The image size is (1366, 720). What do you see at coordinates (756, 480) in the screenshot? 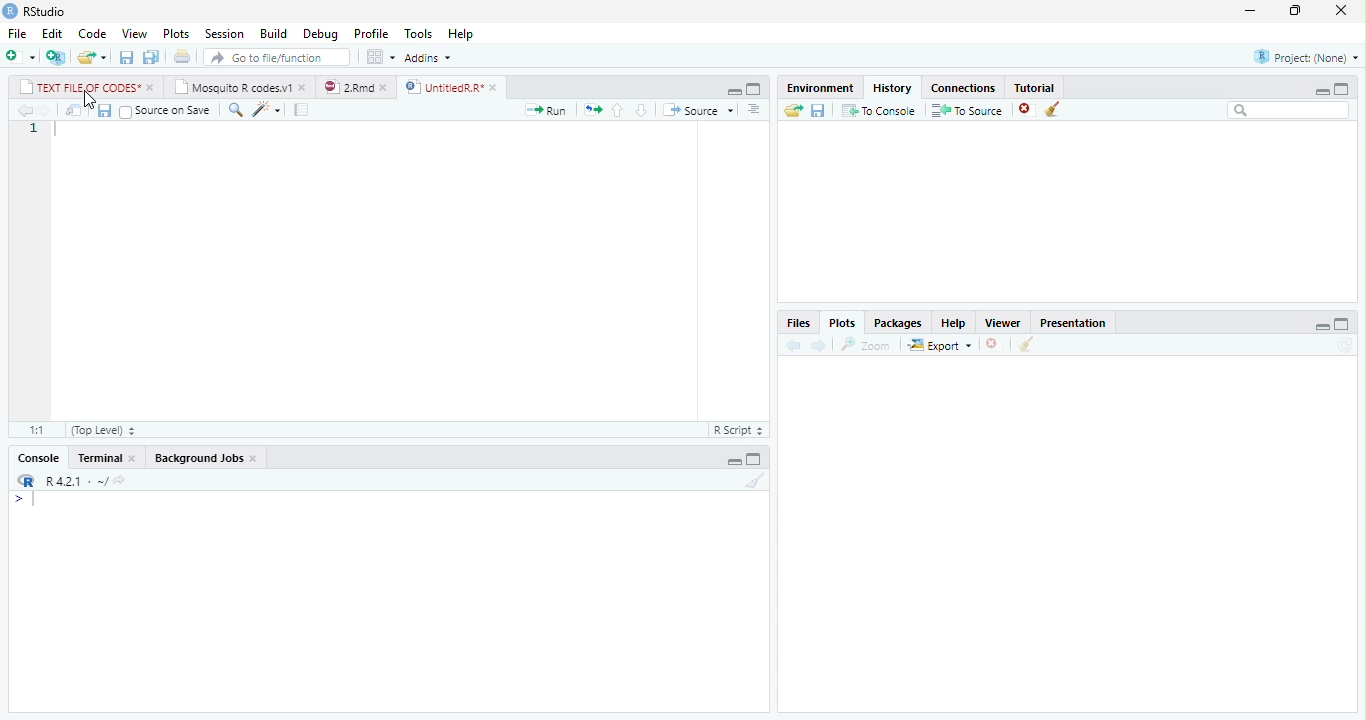
I see `clear` at bounding box center [756, 480].